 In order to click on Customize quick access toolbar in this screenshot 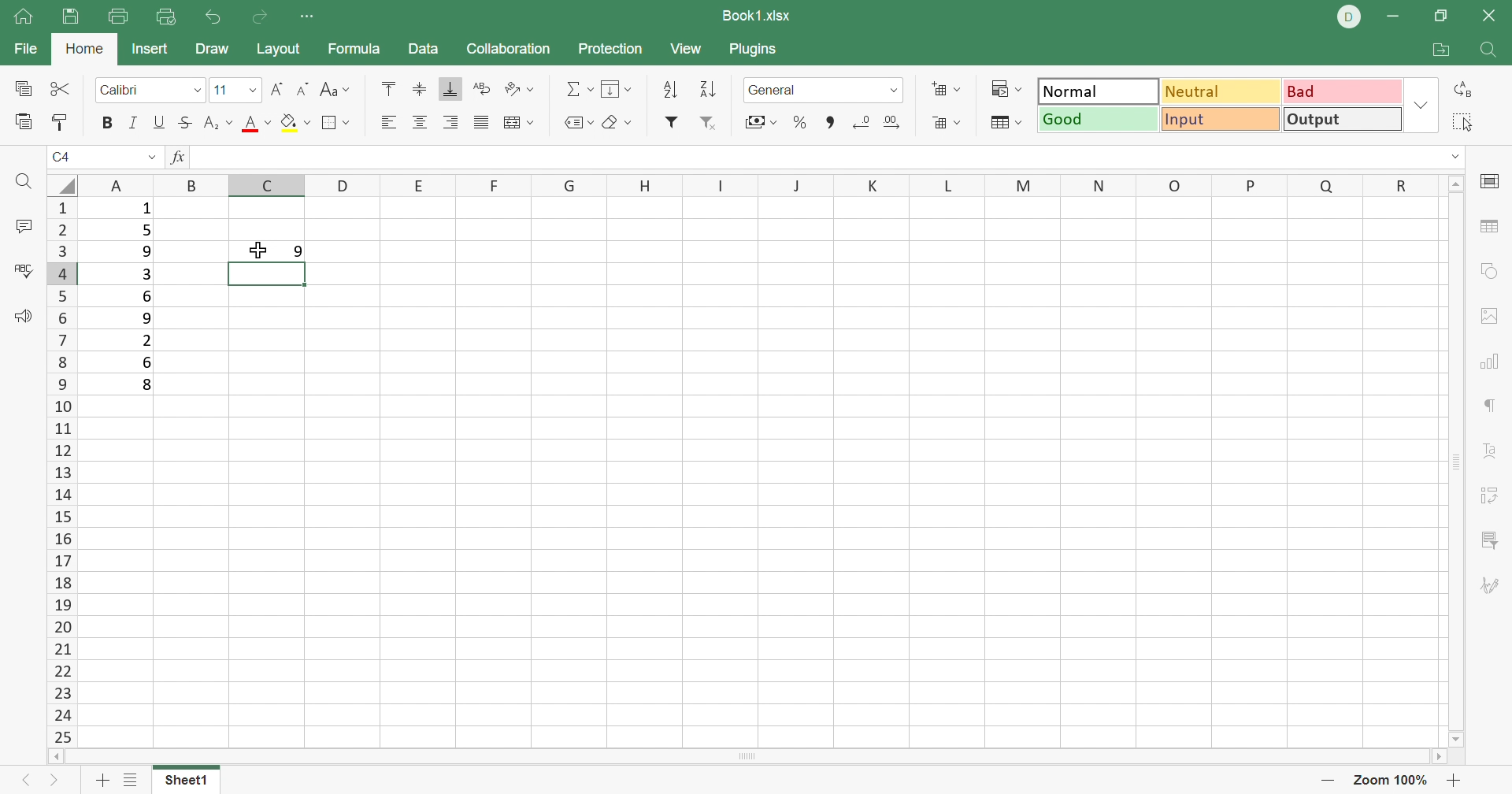, I will do `click(308, 17)`.